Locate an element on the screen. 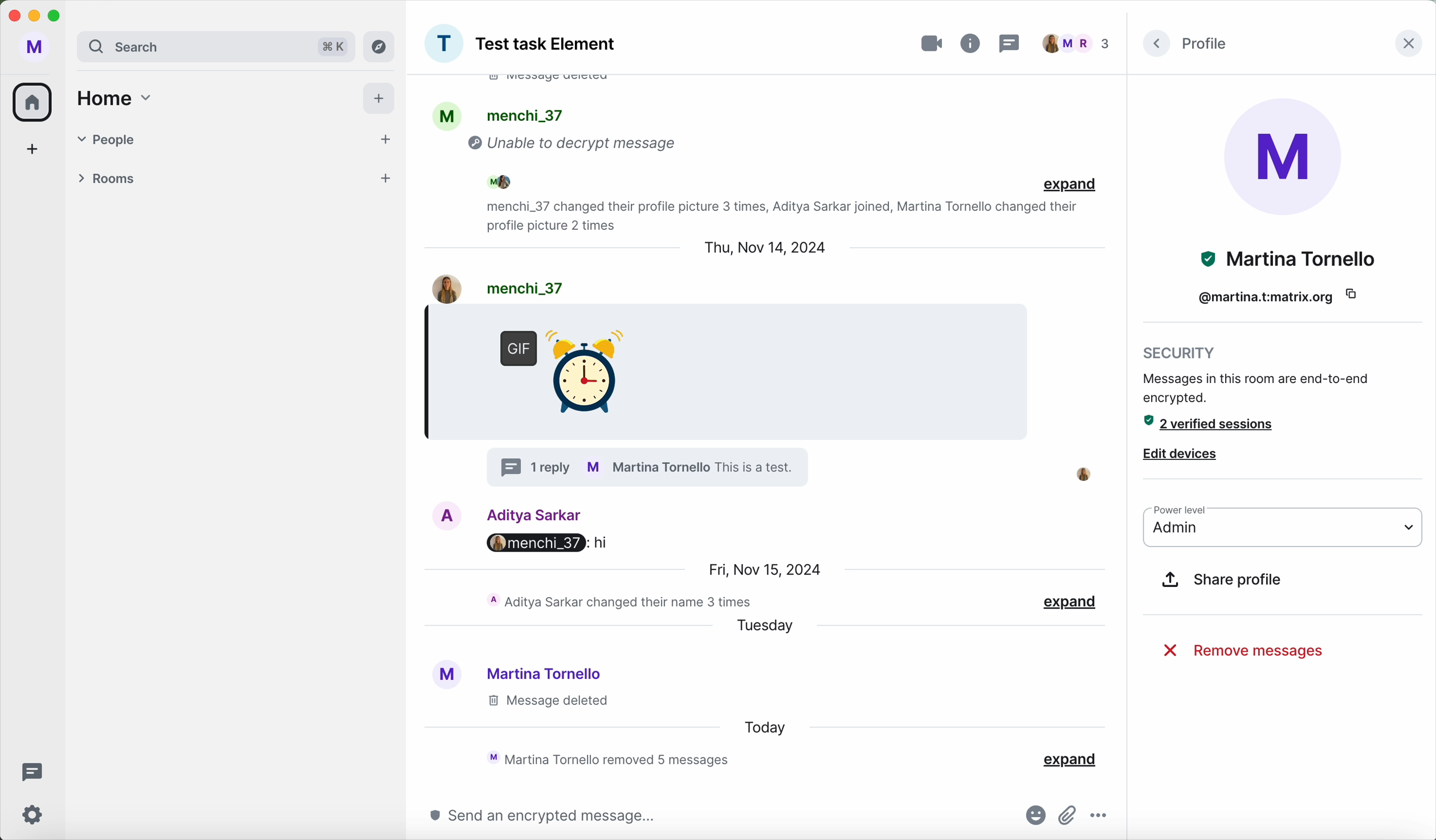 This screenshot has width=1436, height=840. profile is located at coordinates (1209, 44).